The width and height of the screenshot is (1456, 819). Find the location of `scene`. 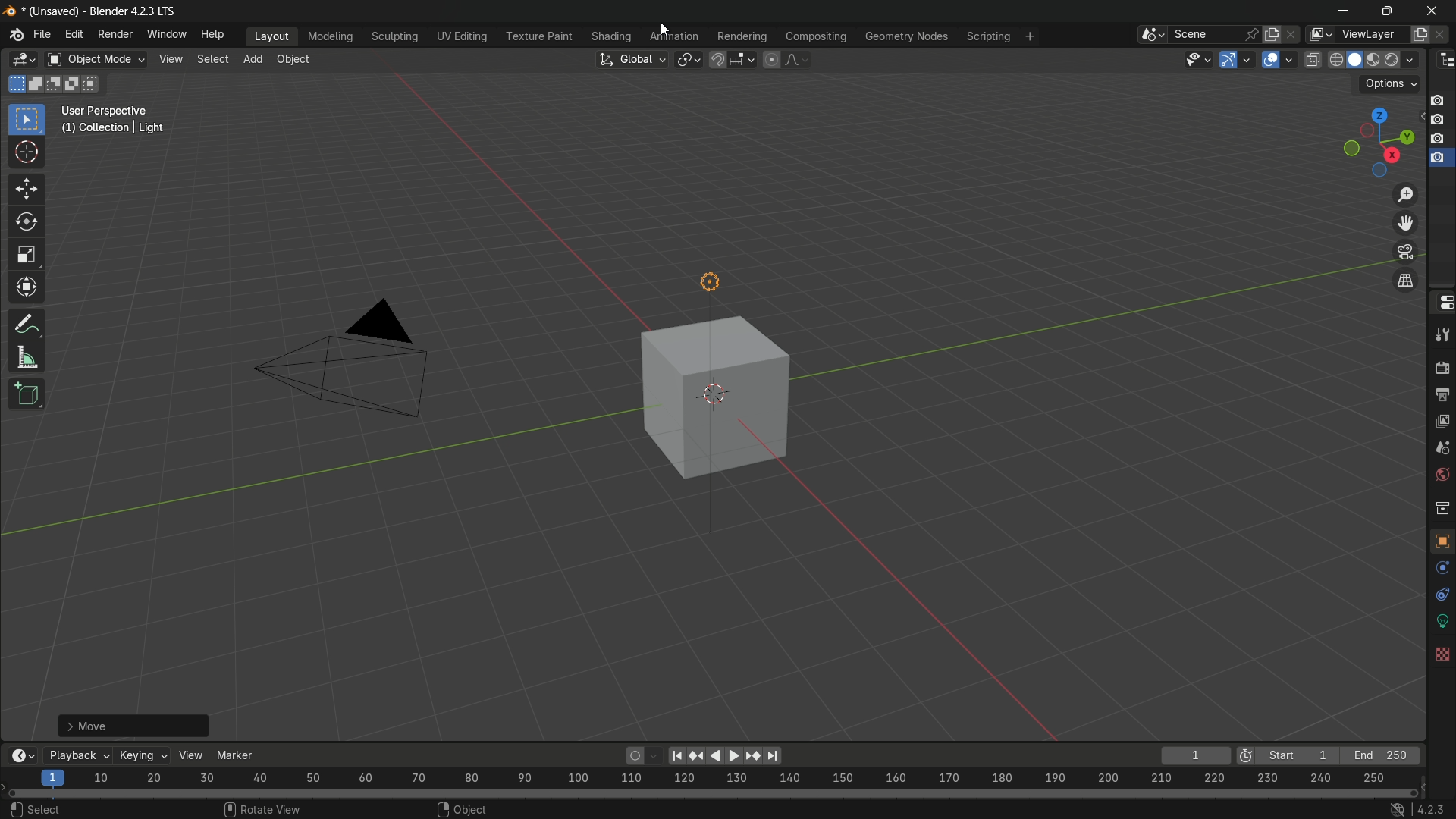

scene is located at coordinates (1442, 447).